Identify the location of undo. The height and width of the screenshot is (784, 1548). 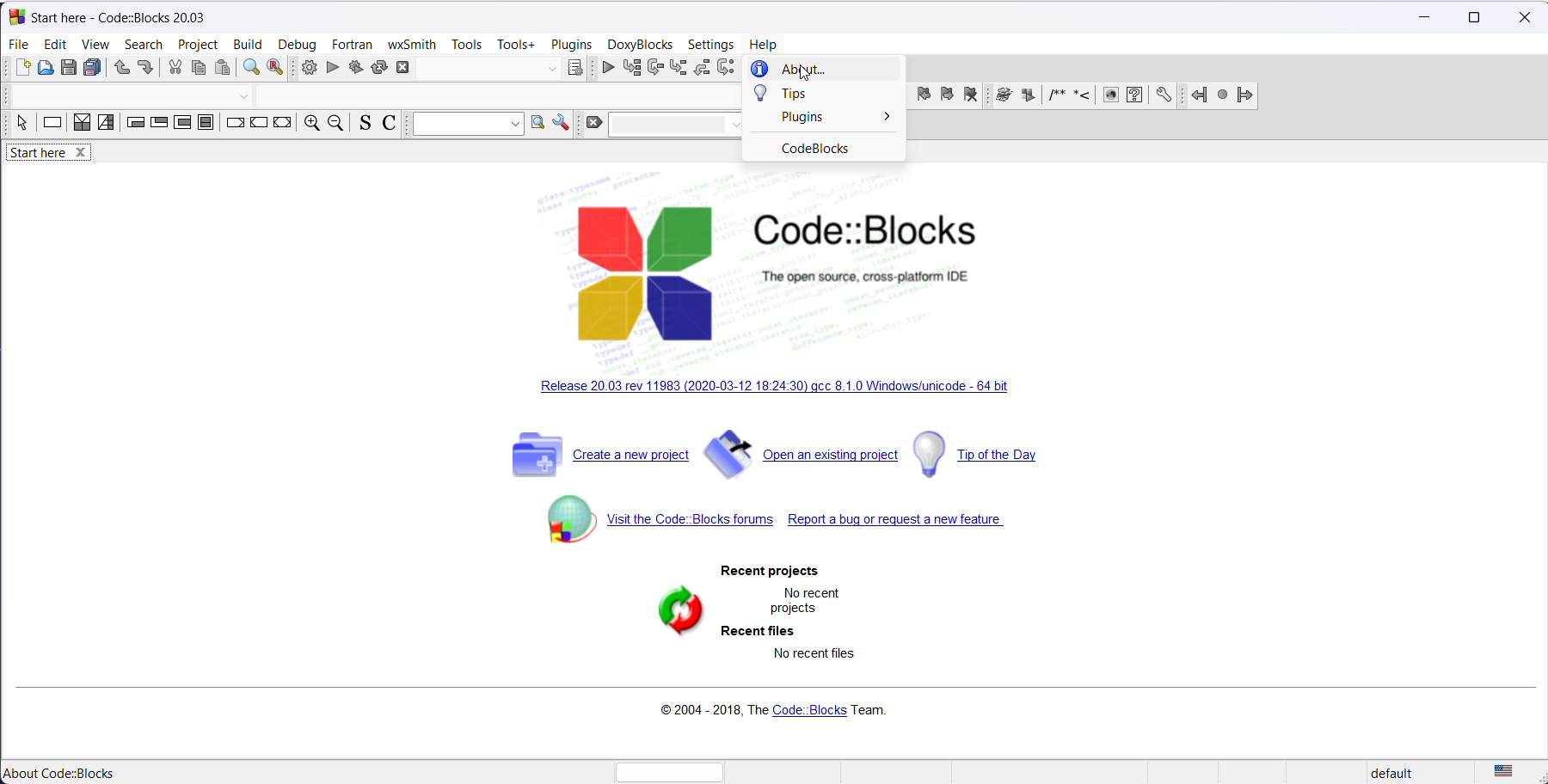
(120, 70).